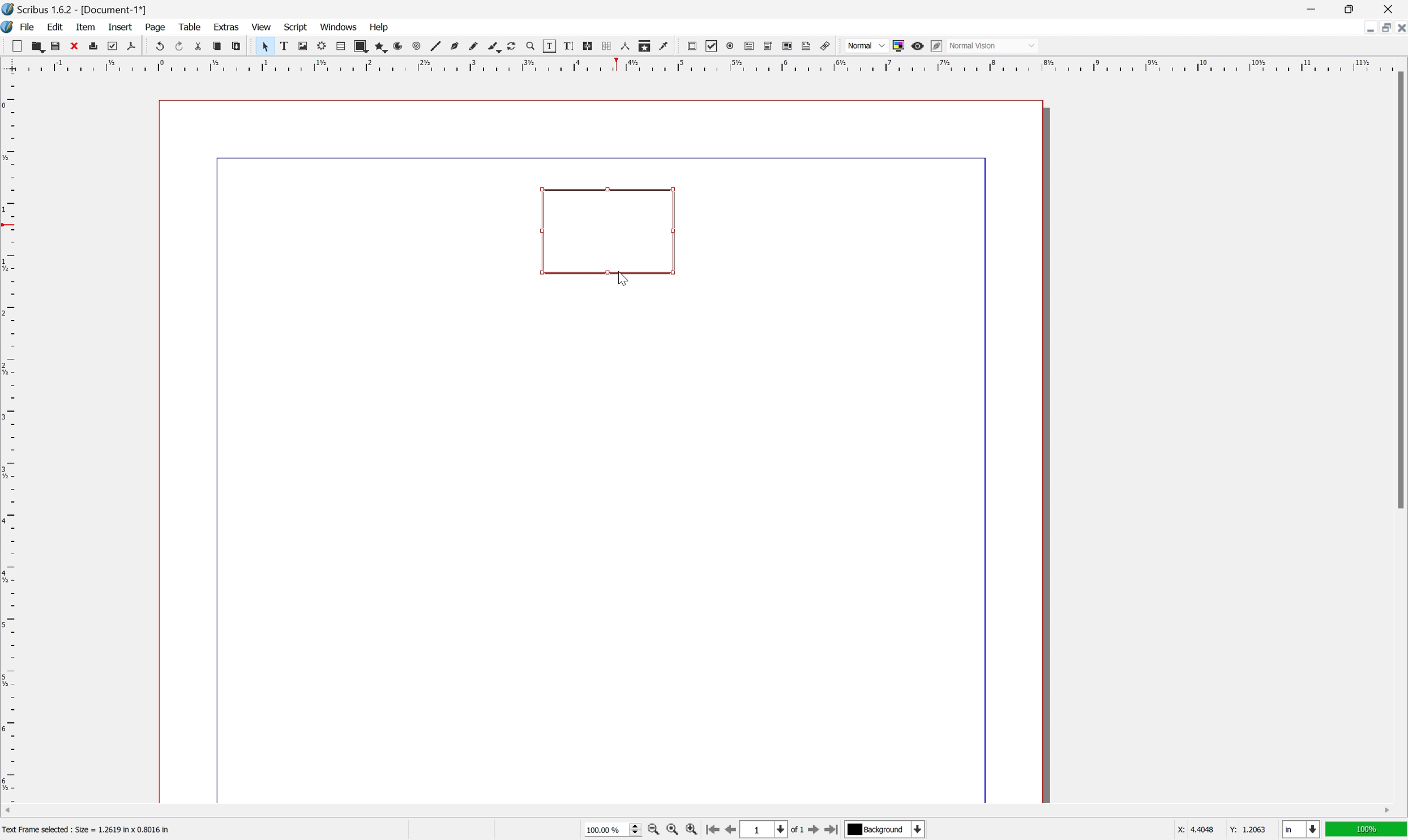 The height and width of the screenshot is (840, 1408). What do you see at coordinates (712, 46) in the screenshot?
I see `pdf checkbox` at bounding box center [712, 46].